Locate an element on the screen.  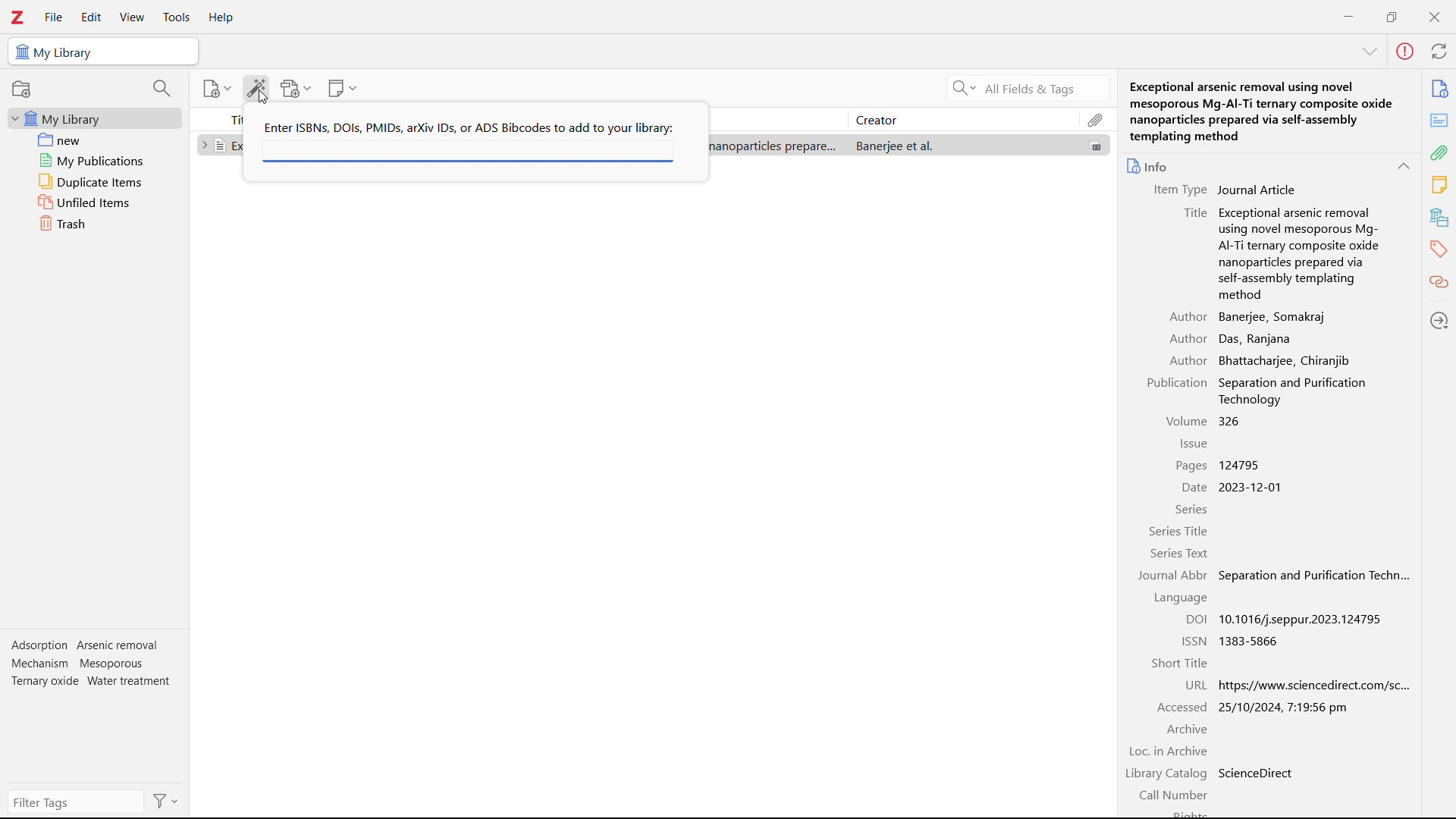
new is located at coordinates (96, 140).